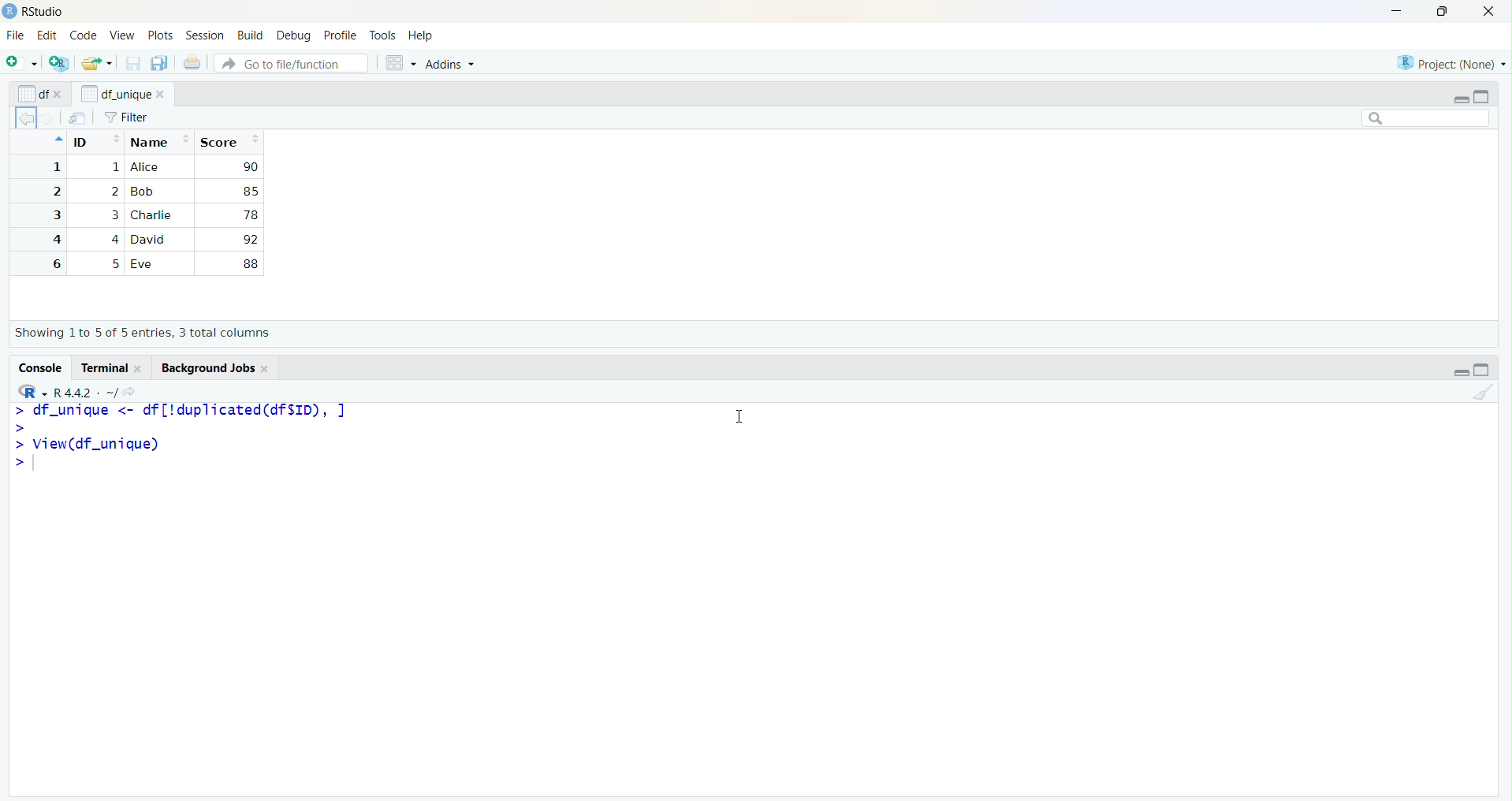  What do you see at coordinates (152, 215) in the screenshot?
I see `Charlie` at bounding box center [152, 215].